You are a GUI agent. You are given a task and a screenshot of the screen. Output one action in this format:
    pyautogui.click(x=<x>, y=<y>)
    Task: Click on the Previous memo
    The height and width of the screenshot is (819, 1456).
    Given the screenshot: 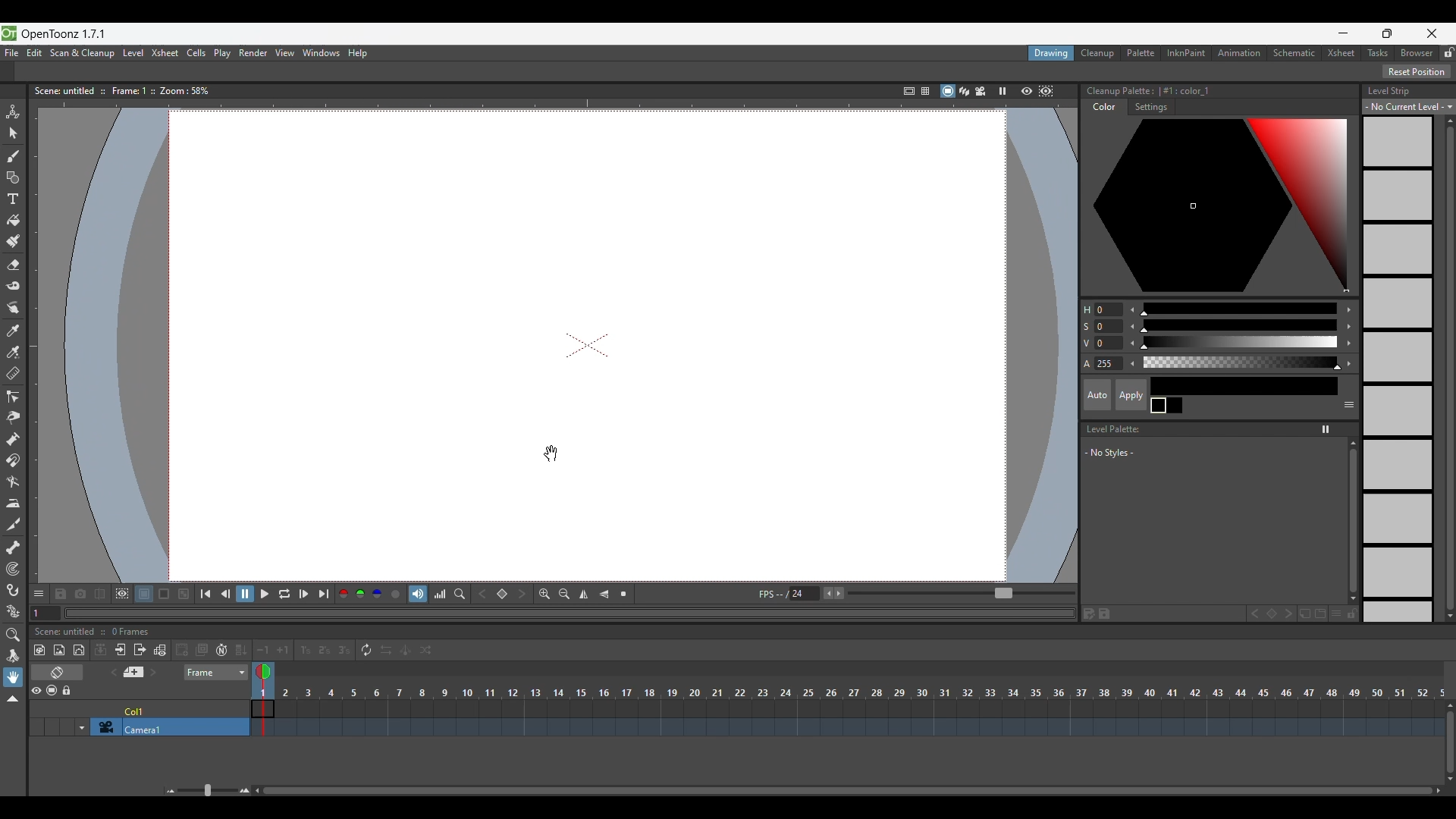 What is the action you would take?
    pyautogui.click(x=110, y=671)
    